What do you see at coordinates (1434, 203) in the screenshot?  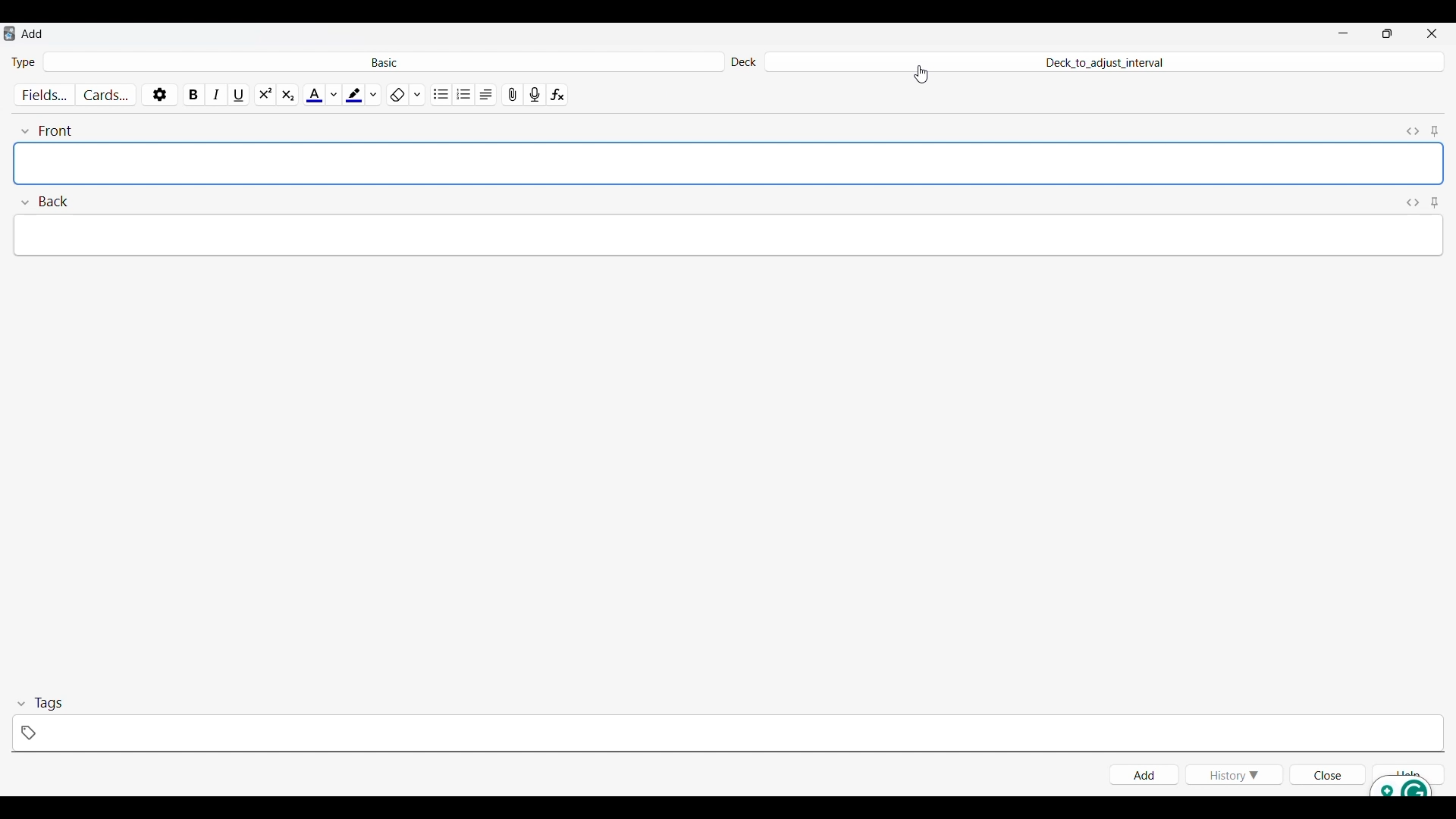 I see `Toggle sticky` at bounding box center [1434, 203].